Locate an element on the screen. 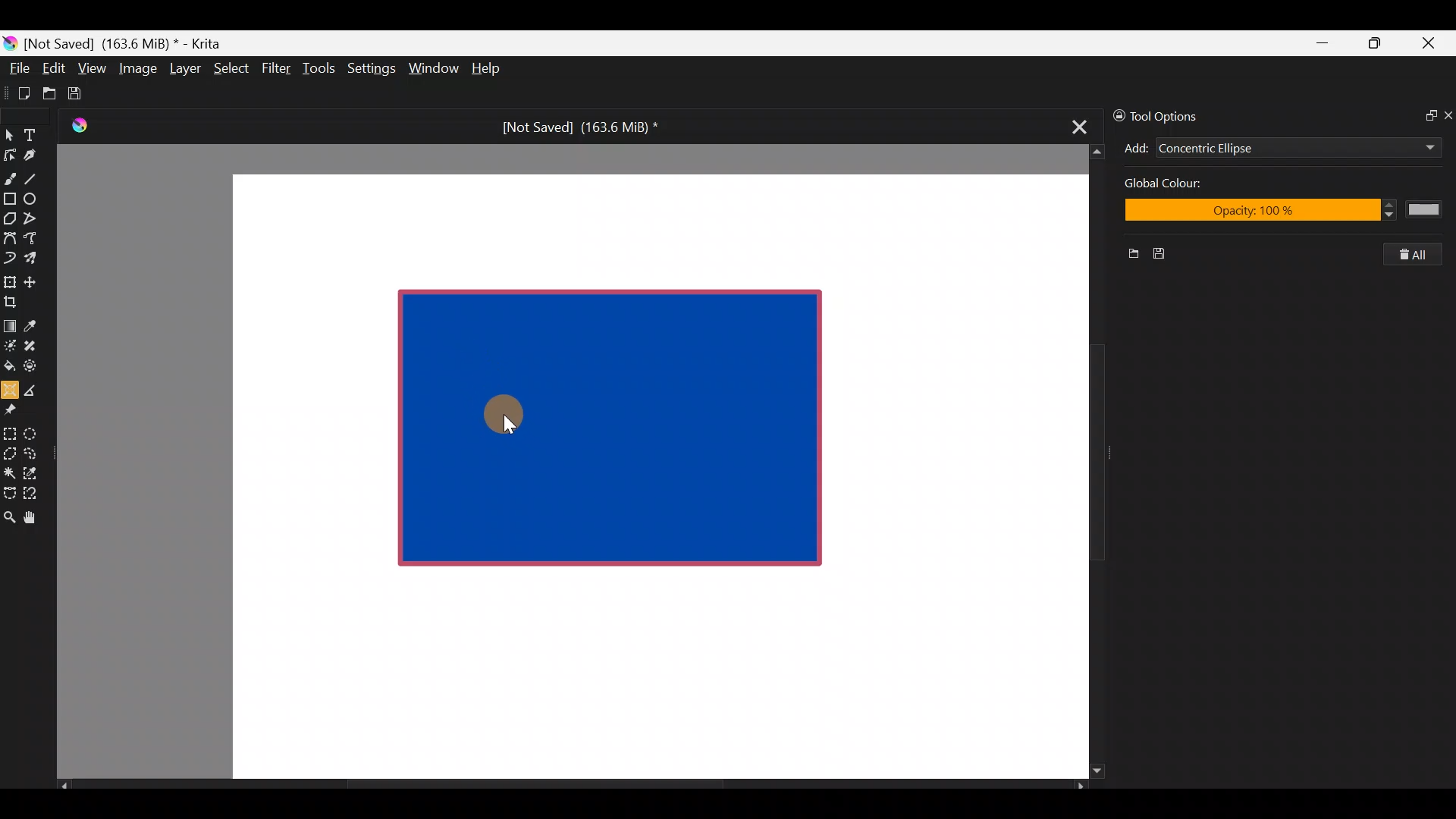 This screenshot has width=1456, height=819. Calligraphy is located at coordinates (41, 158).